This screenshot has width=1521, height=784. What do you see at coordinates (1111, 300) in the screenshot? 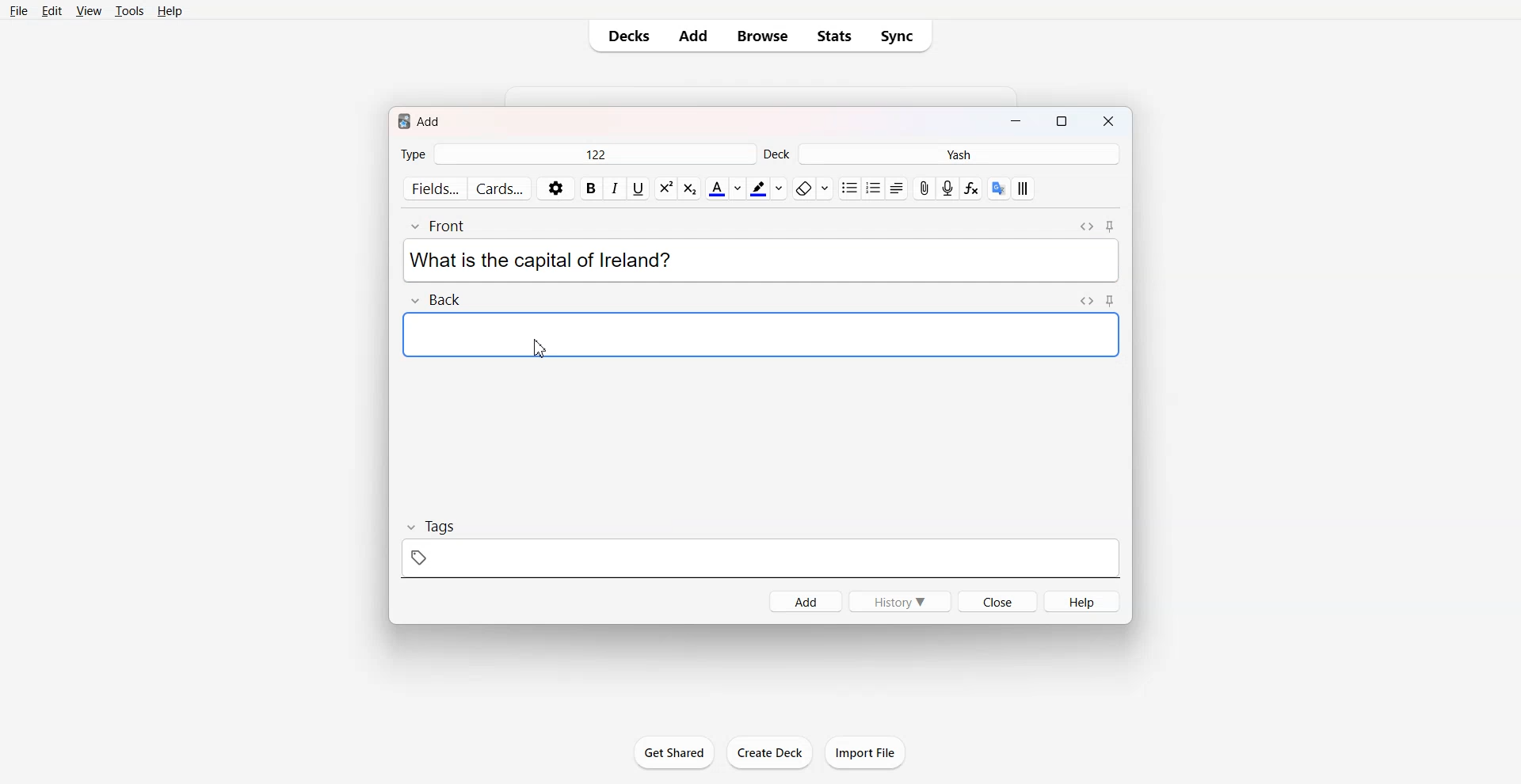
I see `Toggle Sticky` at bounding box center [1111, 300].